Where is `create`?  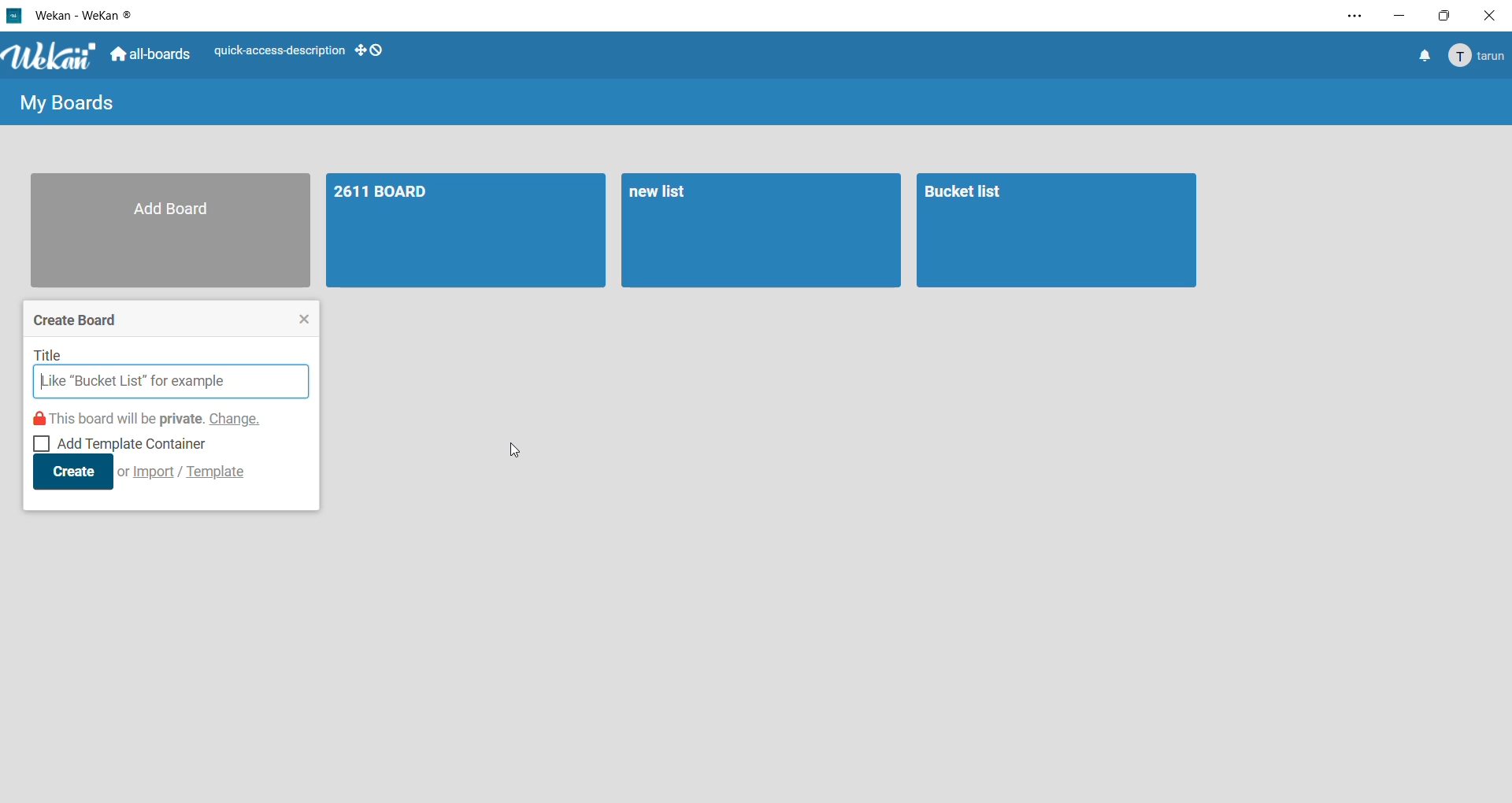
create is located at coordinates (72, 472).